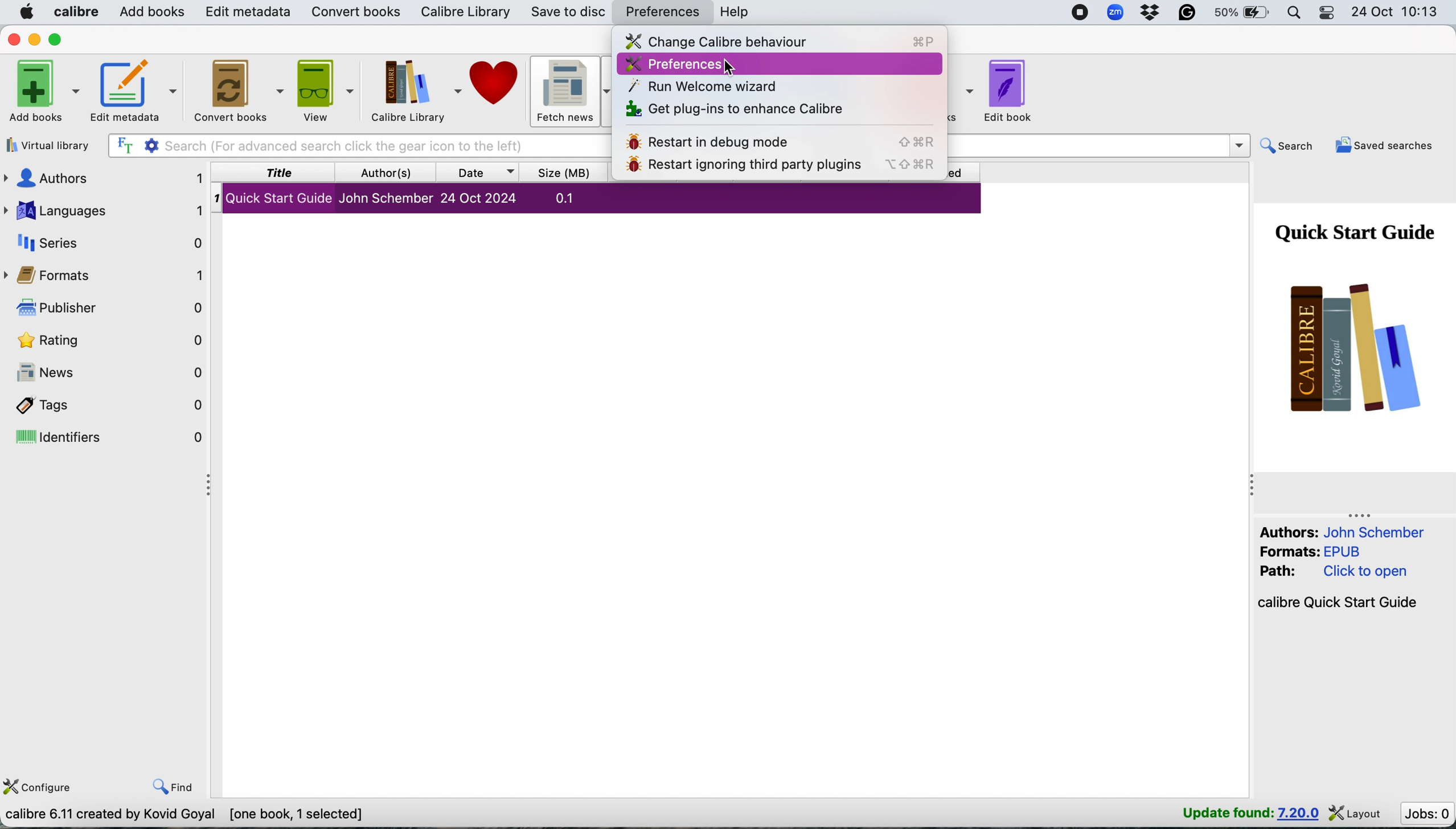  I want to click on view, so click(322, 89).